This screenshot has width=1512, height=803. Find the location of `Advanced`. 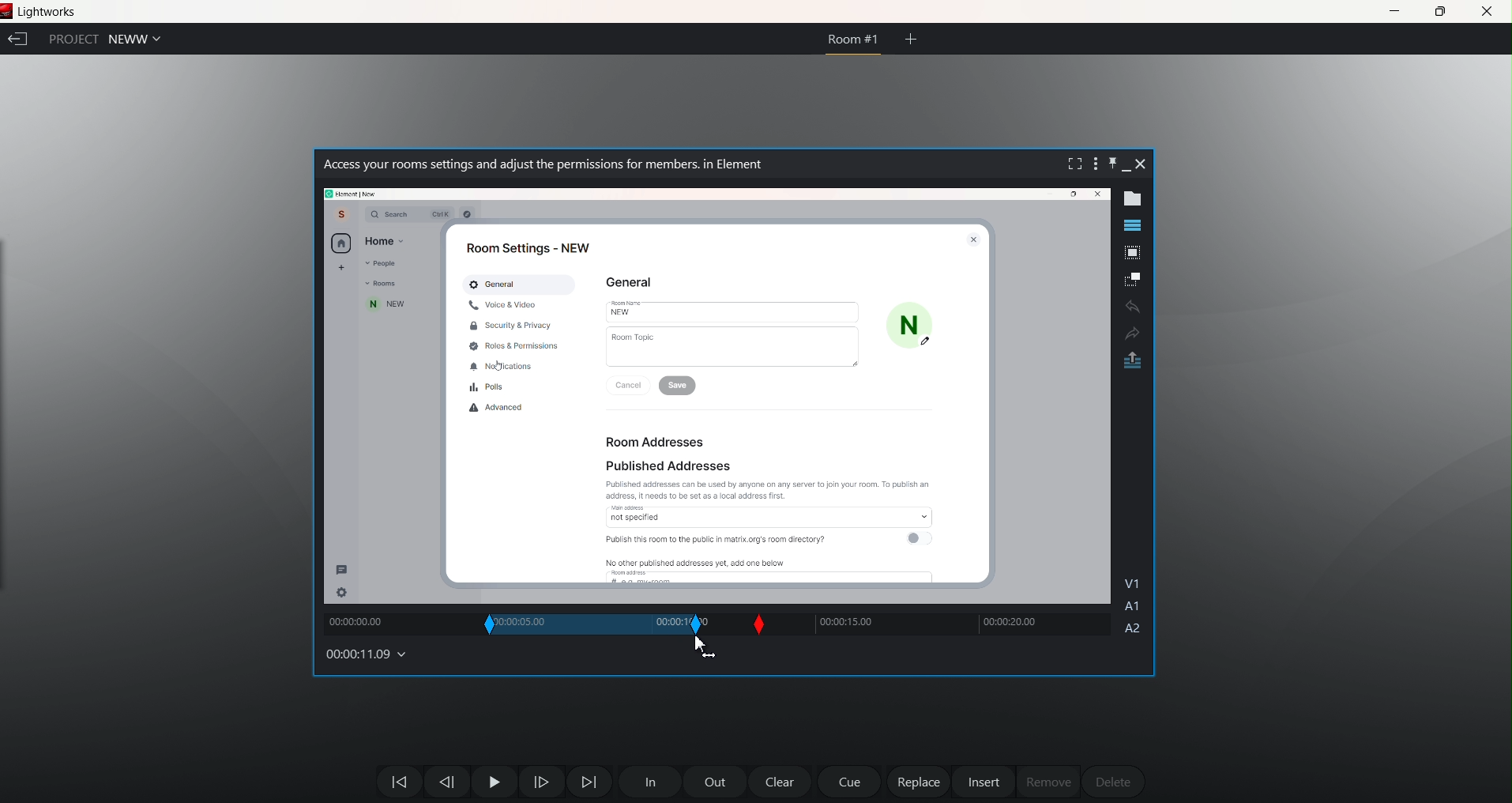

Advanced is located at coordinates (500, 407).